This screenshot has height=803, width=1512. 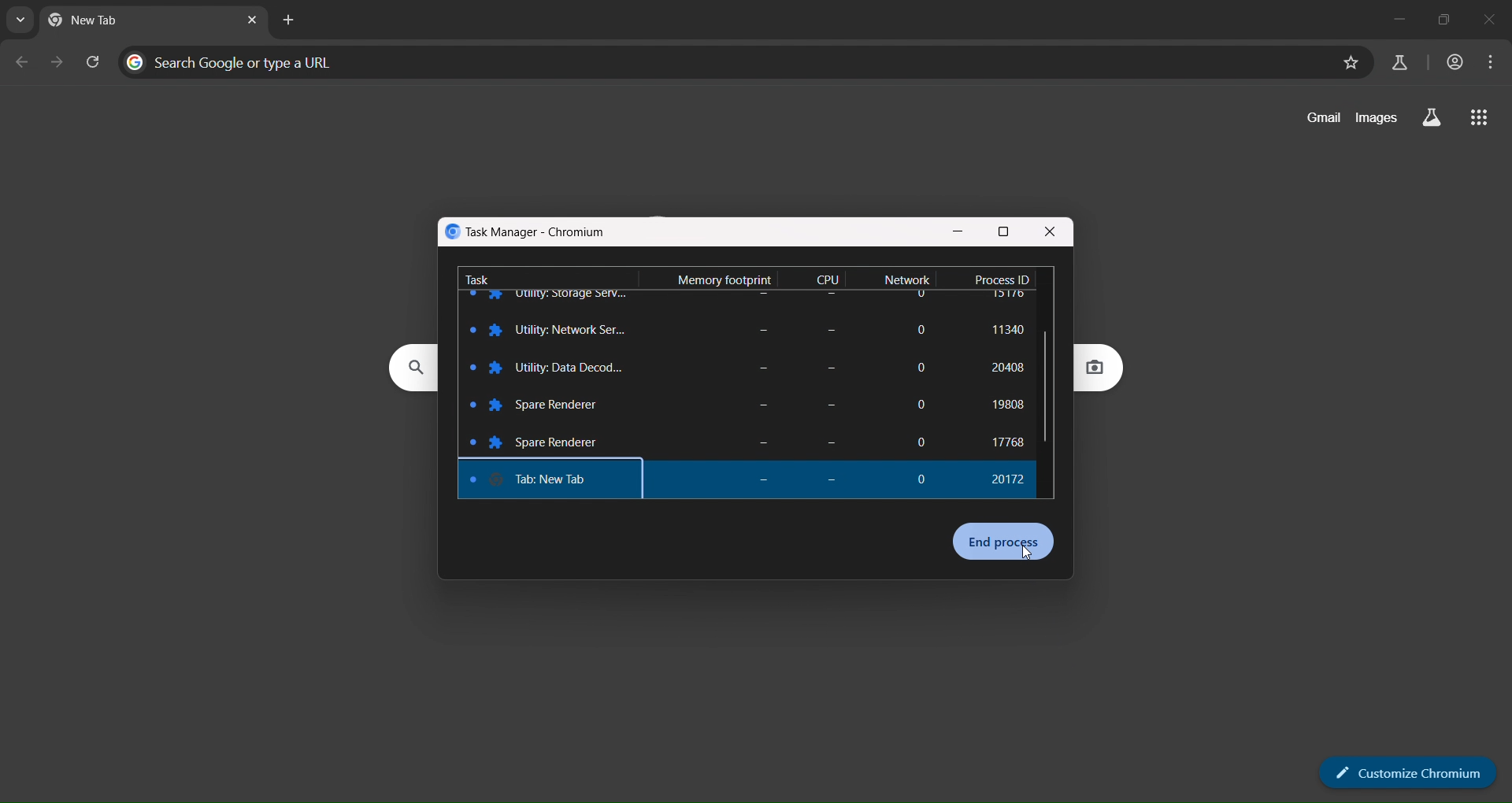 What do you see at coordinates (1478, 120) in the screenshot?
I see `google apps` at bounding box center [1478, 120].